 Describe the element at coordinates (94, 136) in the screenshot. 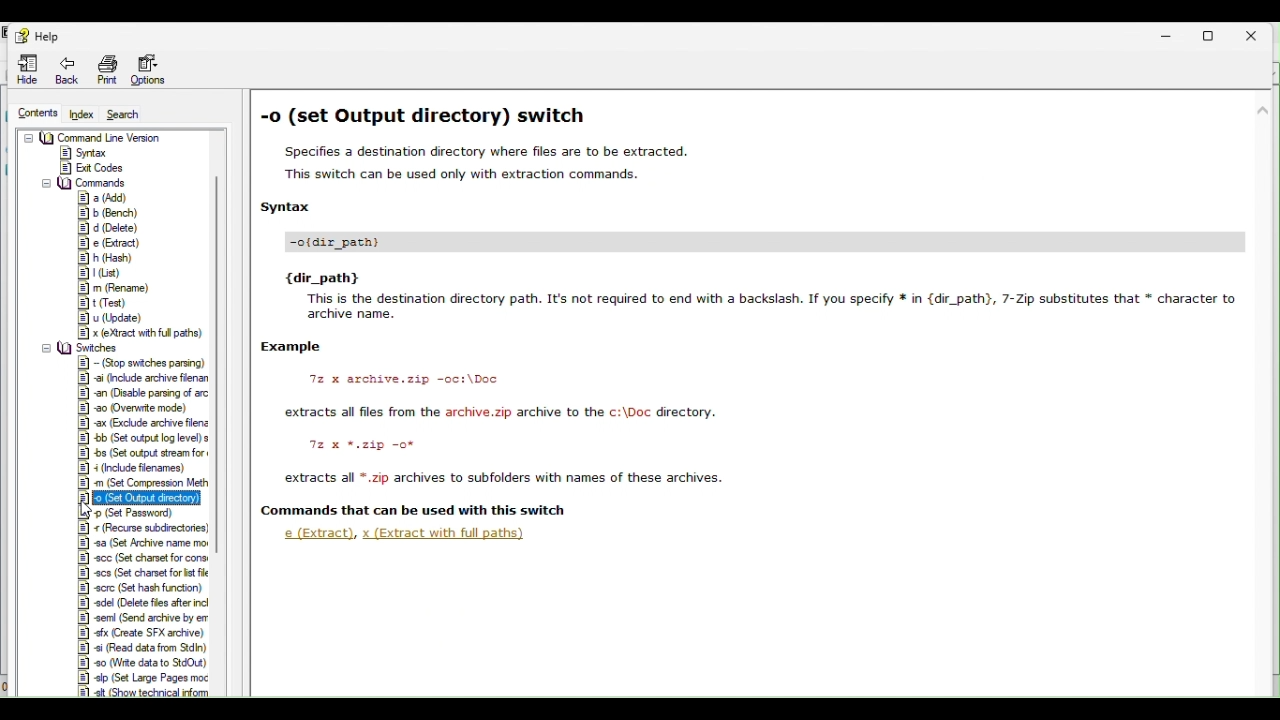

I see `7 zip start page` at that location.